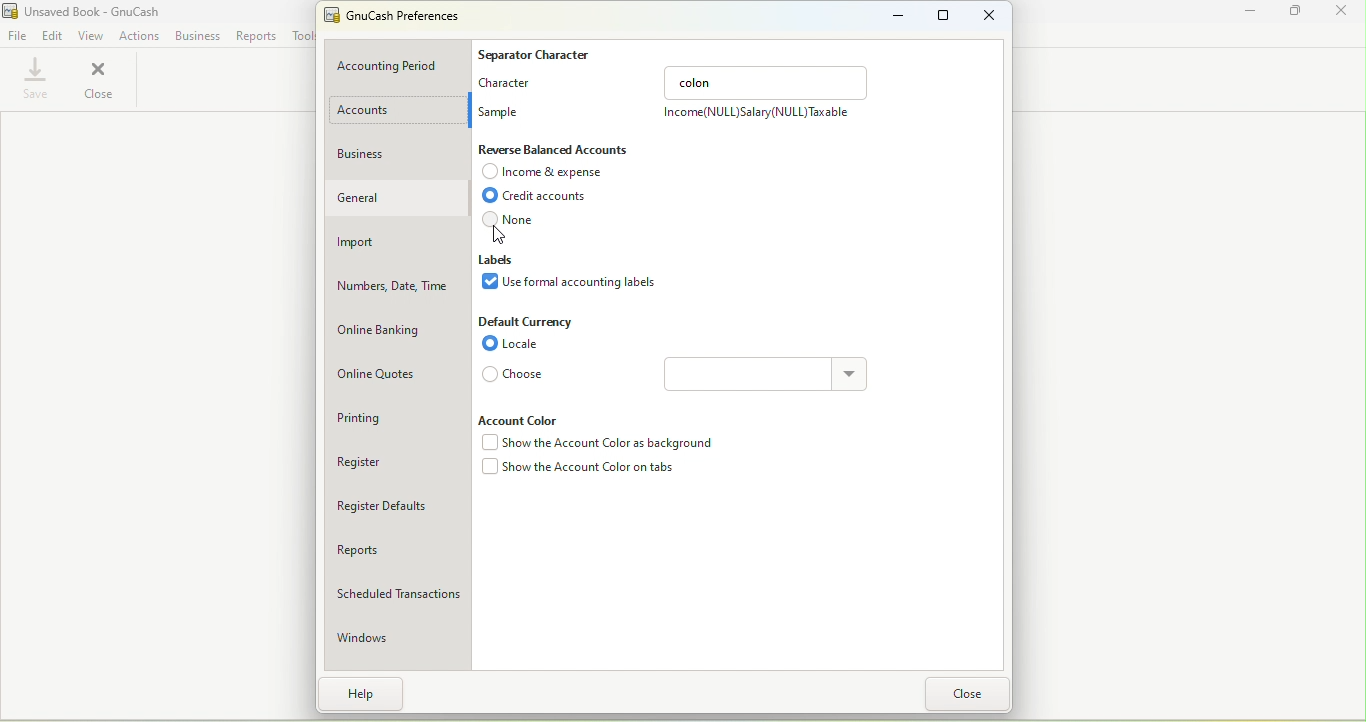 This screenshot has height=722, width=1366. I want to click on Account, so click(398, 110).